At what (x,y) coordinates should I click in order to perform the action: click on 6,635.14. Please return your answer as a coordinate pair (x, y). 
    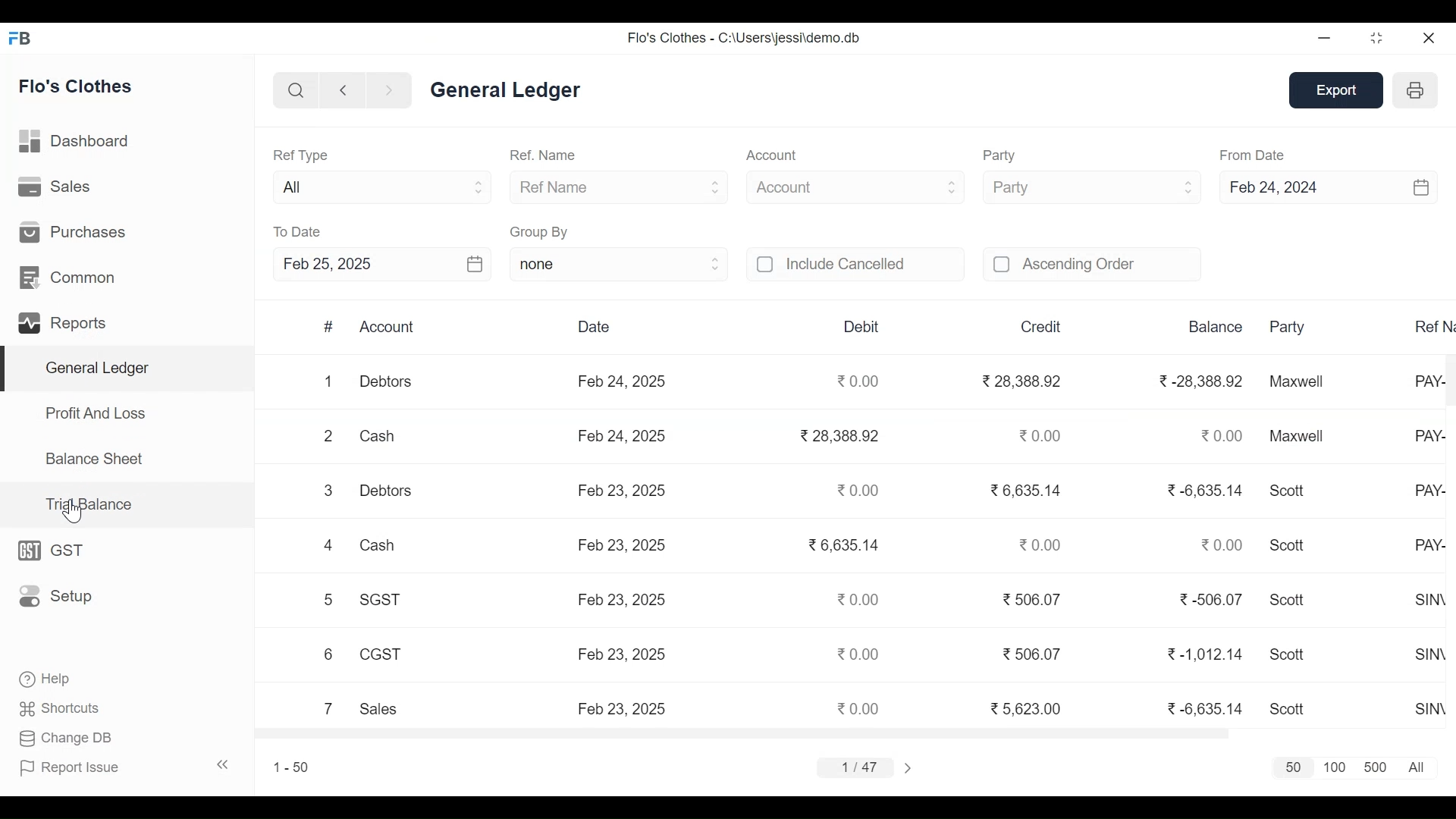
    Looking at the image, I should click on (1025, 491).